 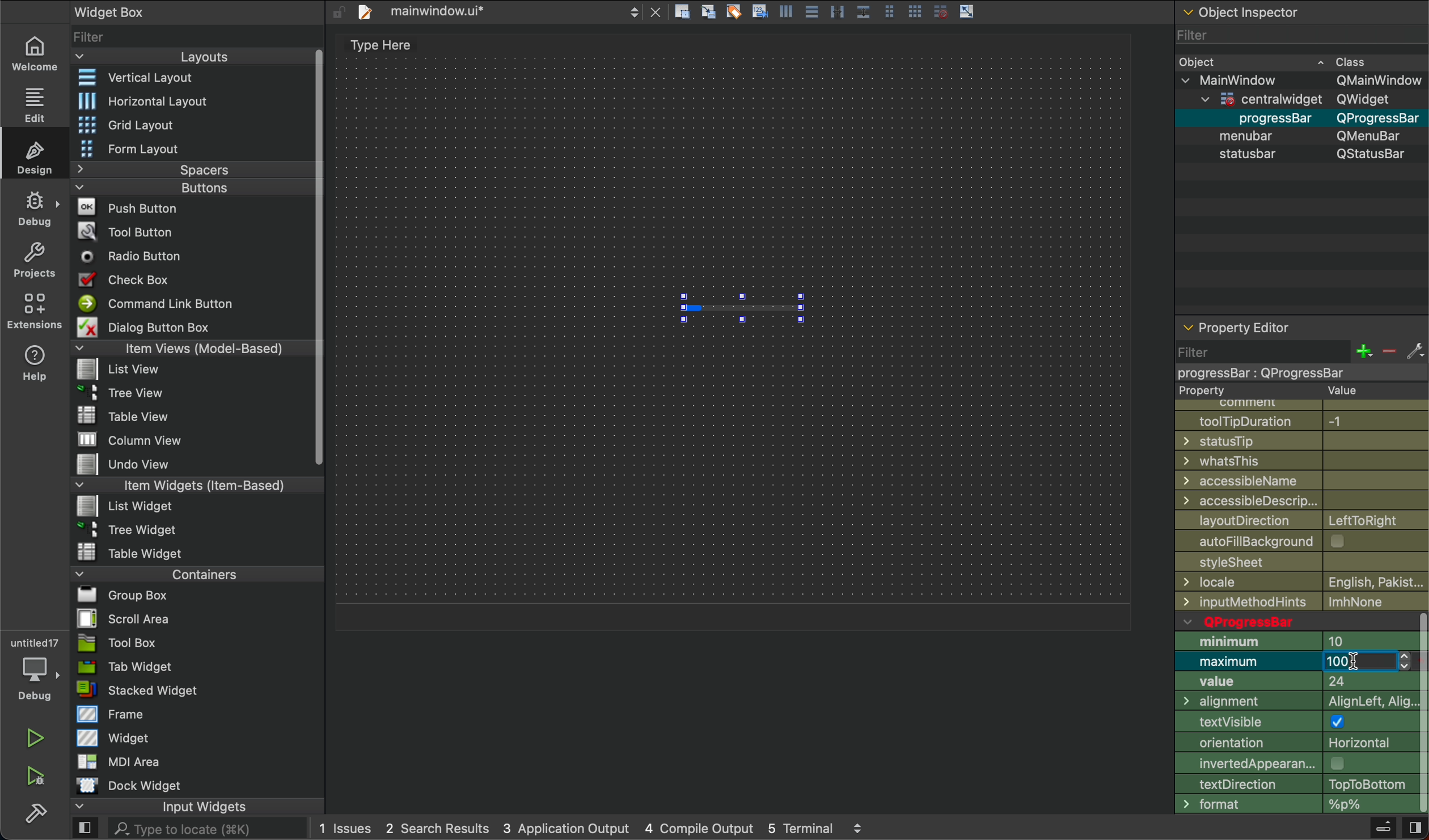 I want to click on Alignment, so click(x=1293, y=703).